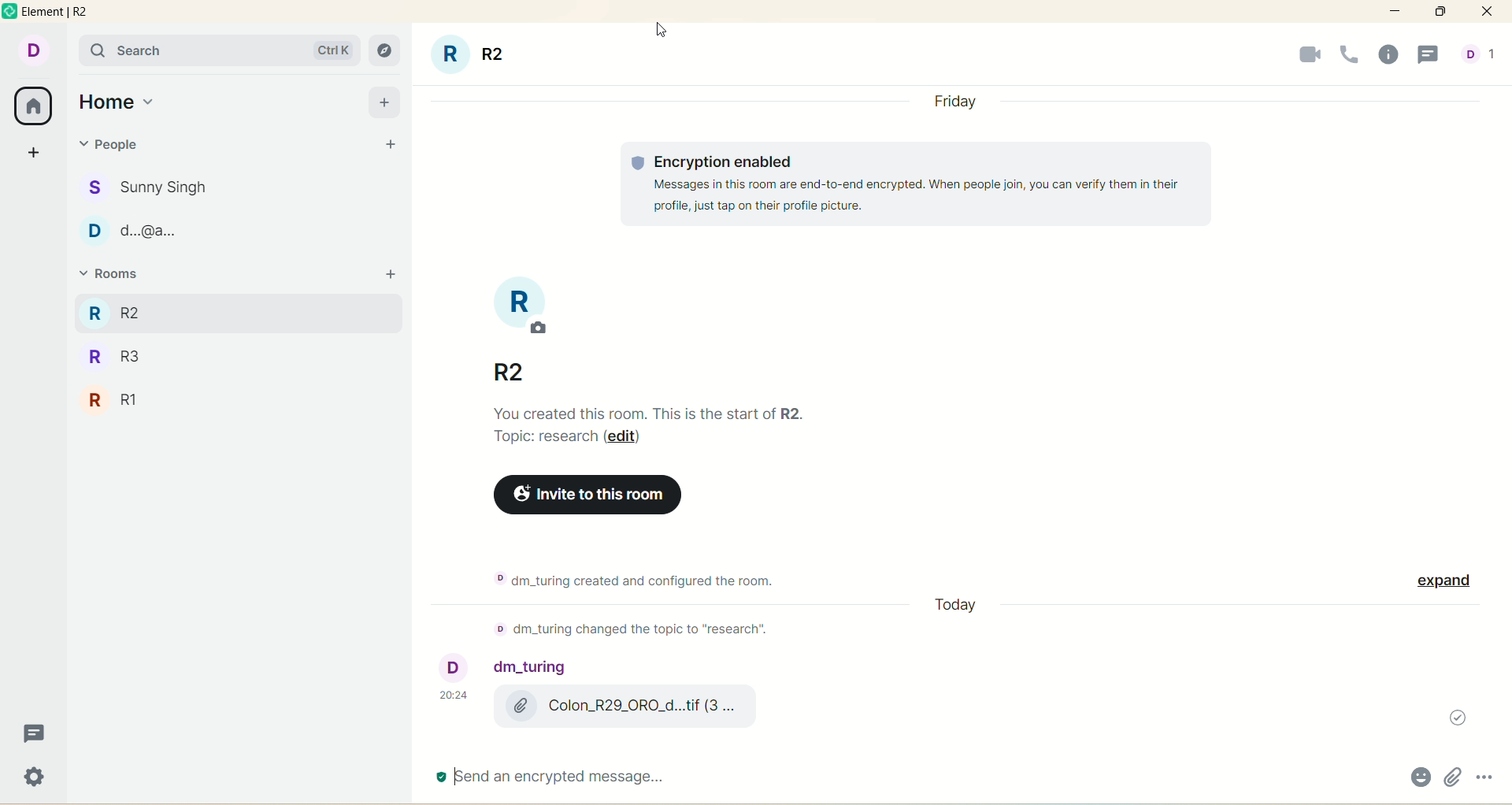 This screenshot has width=1512, height=805. Describe the element at coordinates (1453, 777) in the screenshot. I see `attachments` at that location.